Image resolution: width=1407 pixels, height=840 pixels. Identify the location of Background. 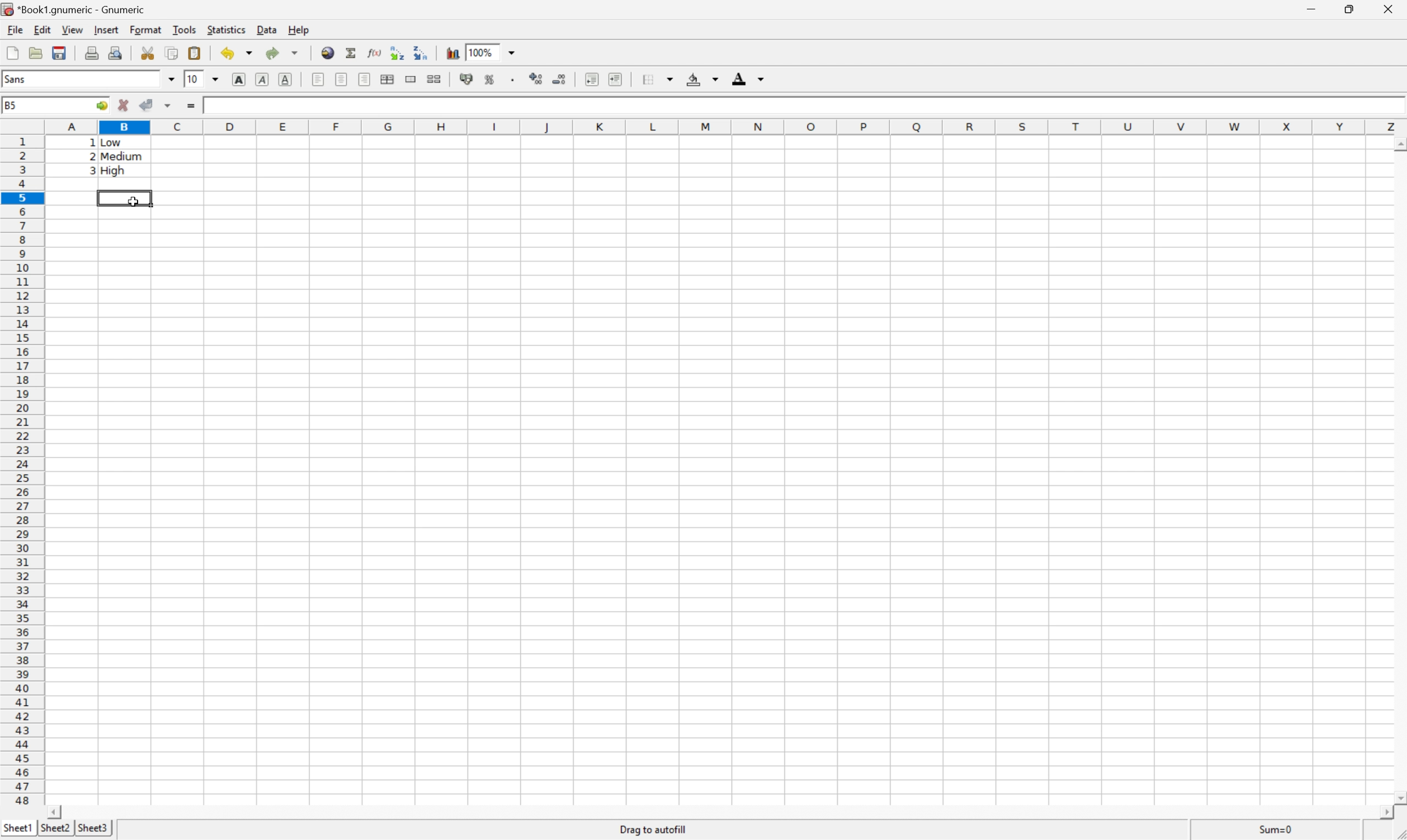
(702, 78).